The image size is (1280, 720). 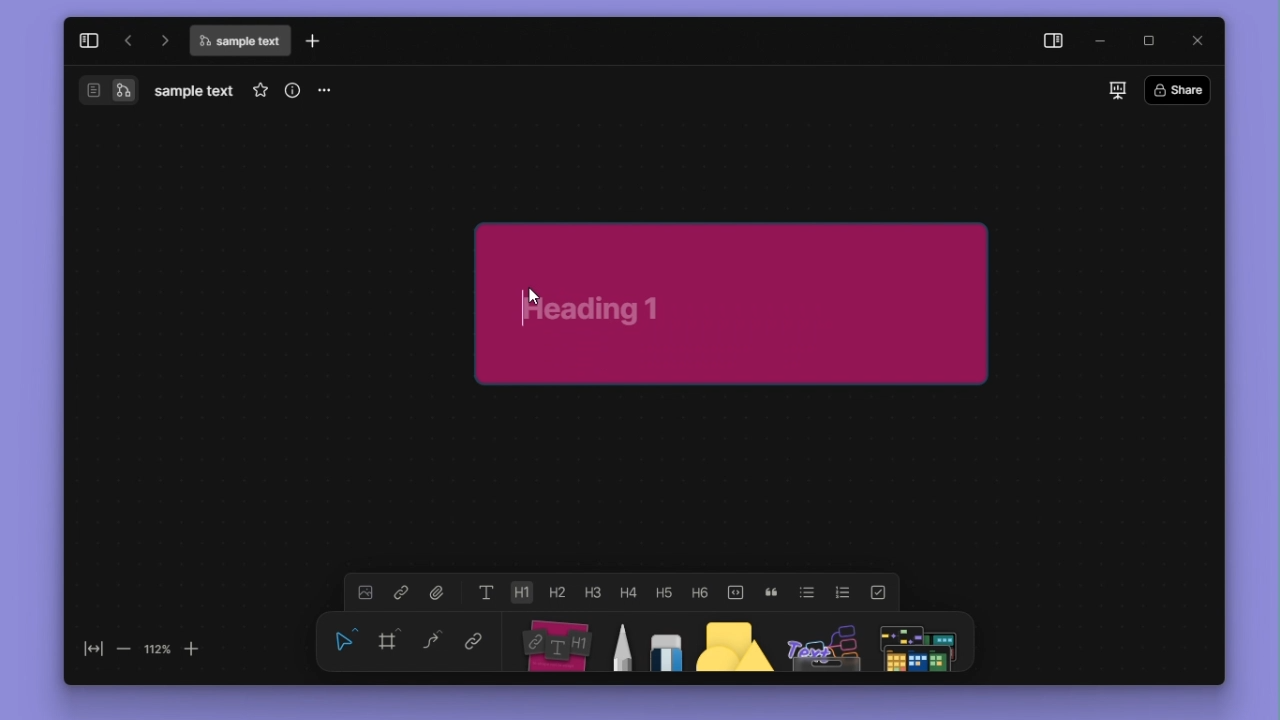 What do you see at coordinates (824, 642) in the screenshot?
I see `other` at bounding box center [824, 642].